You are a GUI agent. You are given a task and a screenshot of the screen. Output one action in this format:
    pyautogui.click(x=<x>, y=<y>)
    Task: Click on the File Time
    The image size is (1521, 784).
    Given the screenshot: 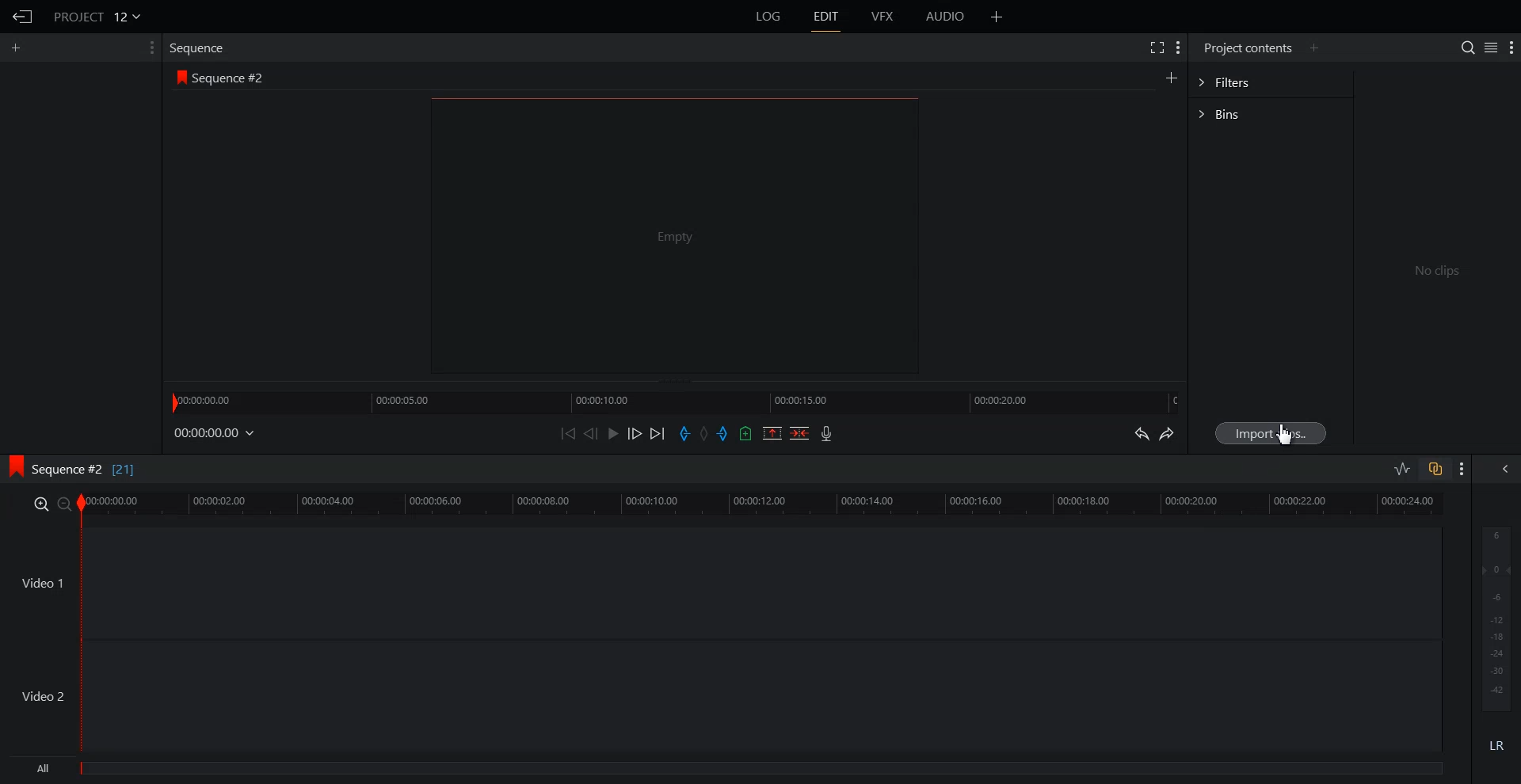 What is the action you would take?
    pyautogui.click(x=215, y=433)
    